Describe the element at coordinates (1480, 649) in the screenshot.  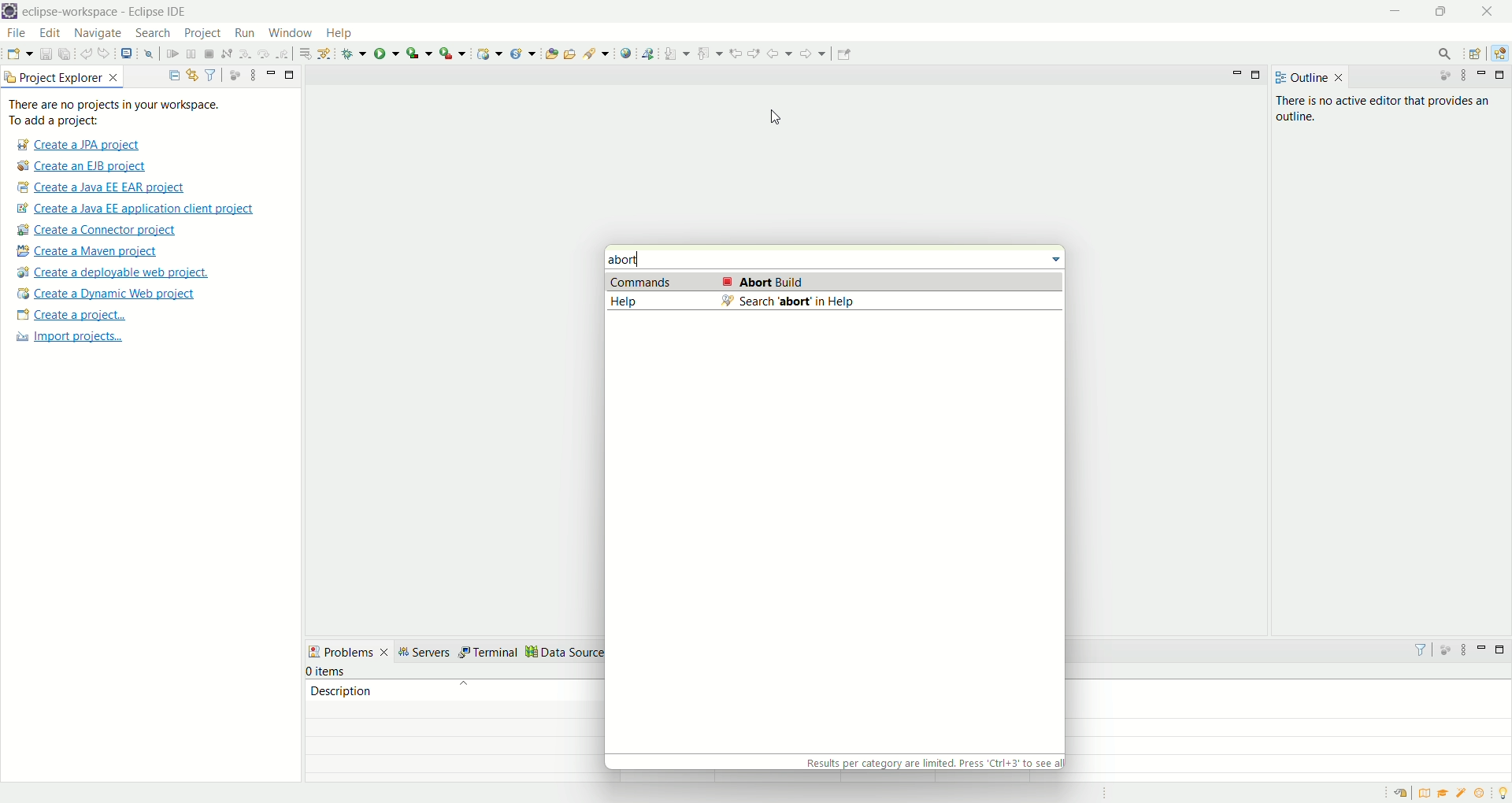
I see `minimize` at that location.